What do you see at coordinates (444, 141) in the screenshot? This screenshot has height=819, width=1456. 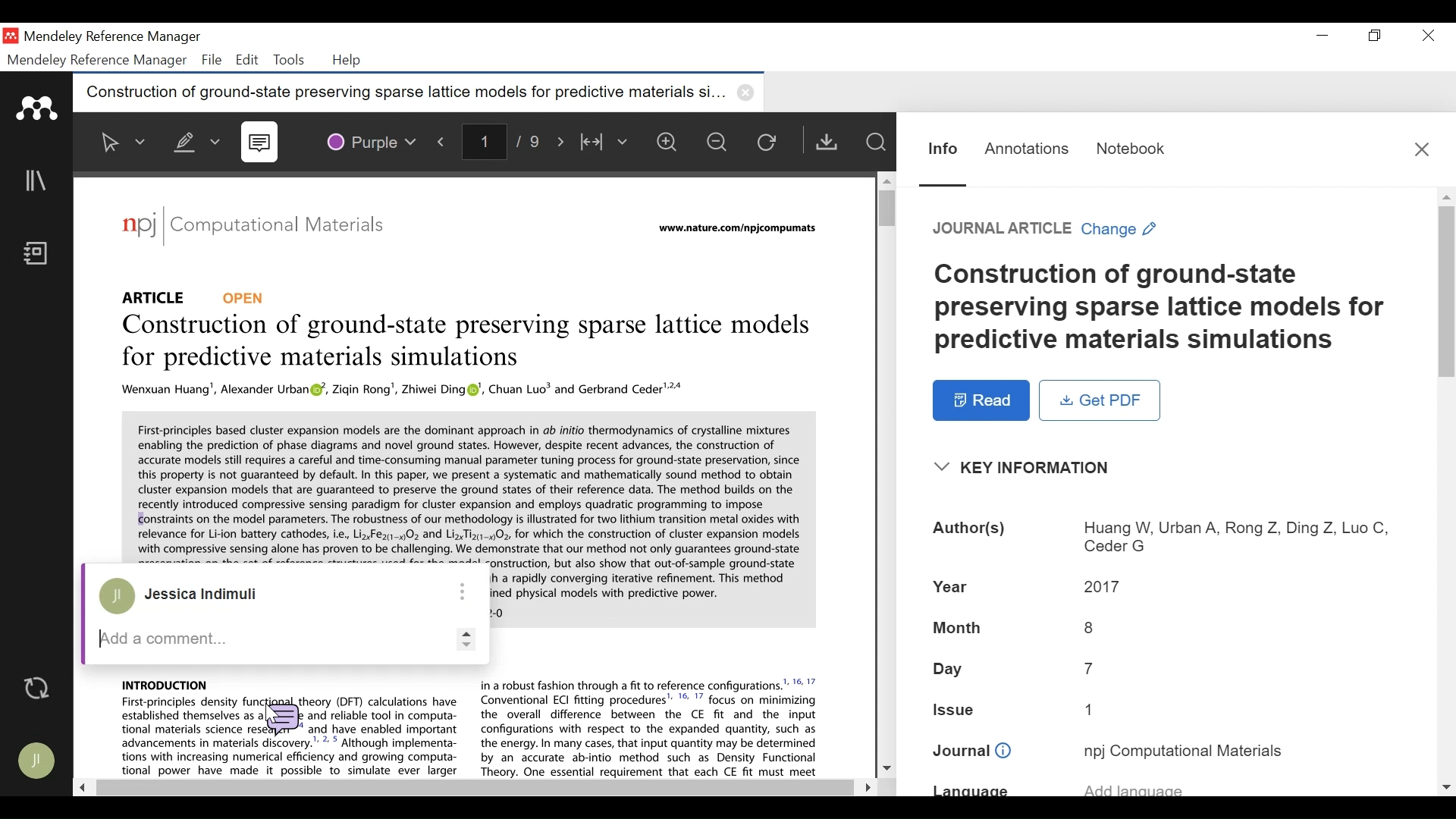 I see `Previous Page` at bounding box center [444, 141].